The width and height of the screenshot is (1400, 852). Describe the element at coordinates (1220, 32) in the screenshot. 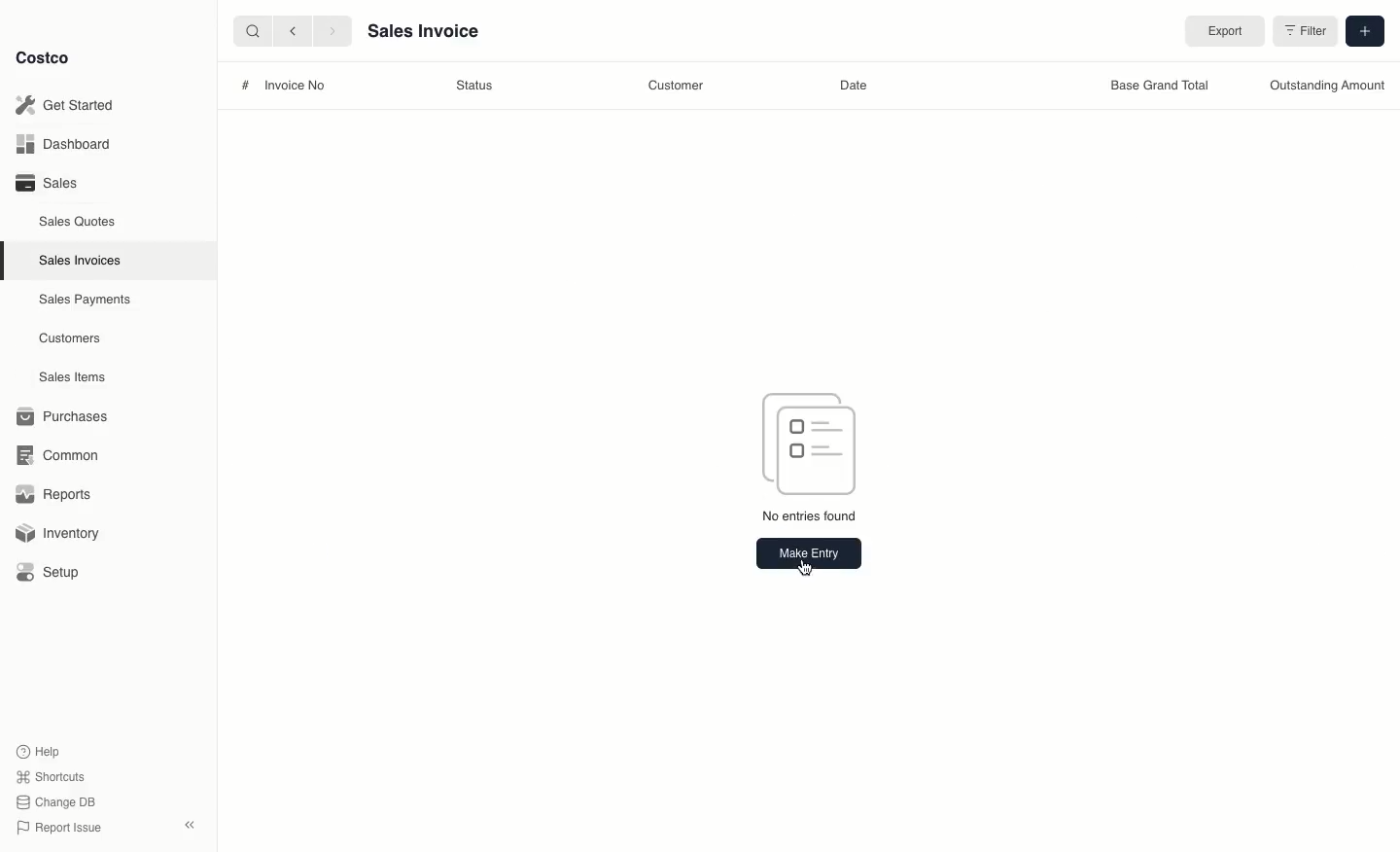

I see `Export` at that location.